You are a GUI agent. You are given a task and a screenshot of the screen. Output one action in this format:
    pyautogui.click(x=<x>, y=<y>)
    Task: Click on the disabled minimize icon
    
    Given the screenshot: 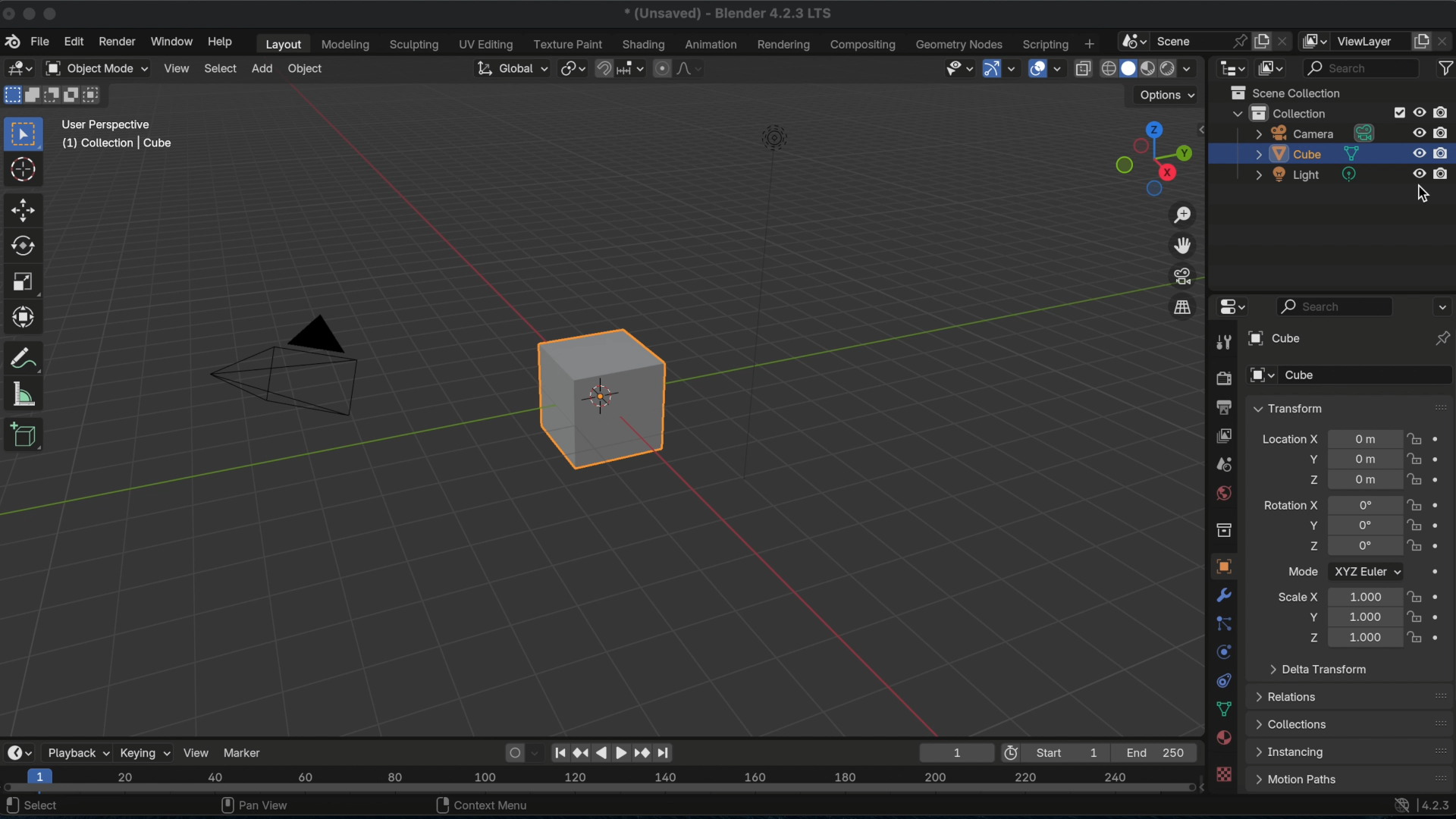 What is the action you would take?
    pyautogui.click(x=33, y=14)
    